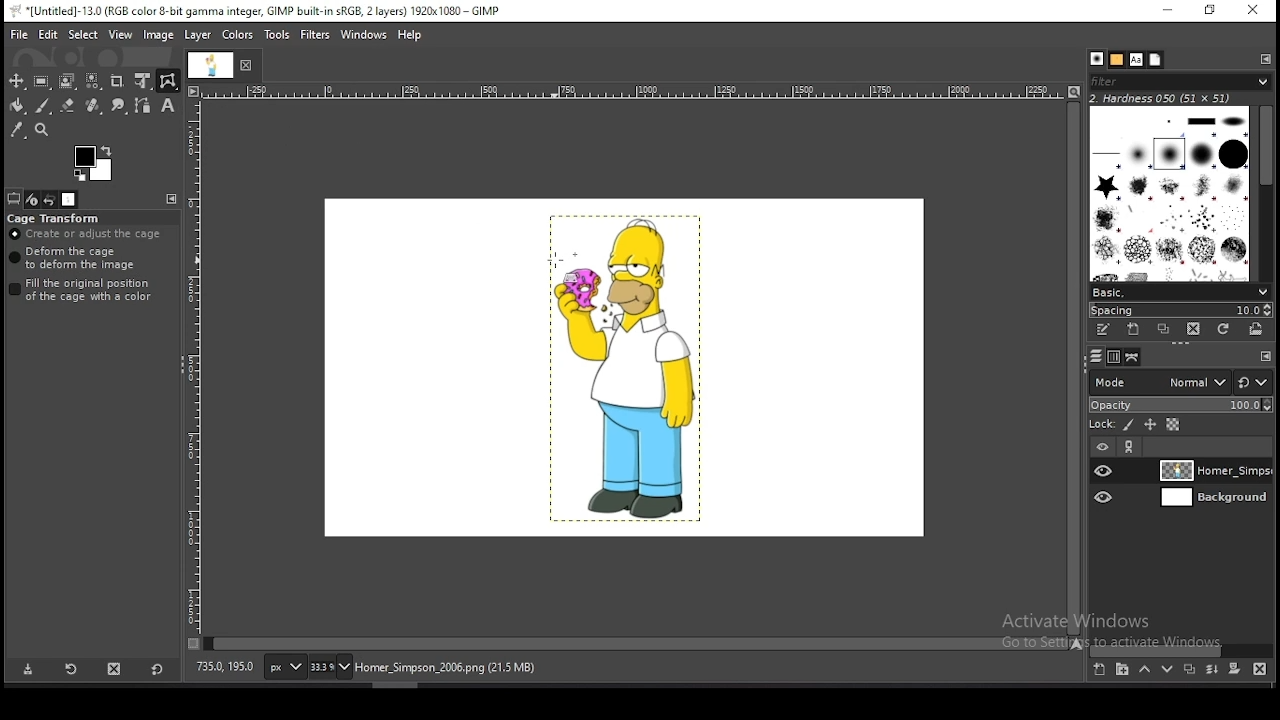 This screenshot has height=720, width=1280. What do you see at coordinates (1127, 426) in the screenshot?
I see `lock pixels` at bounding box center [1127, 426].